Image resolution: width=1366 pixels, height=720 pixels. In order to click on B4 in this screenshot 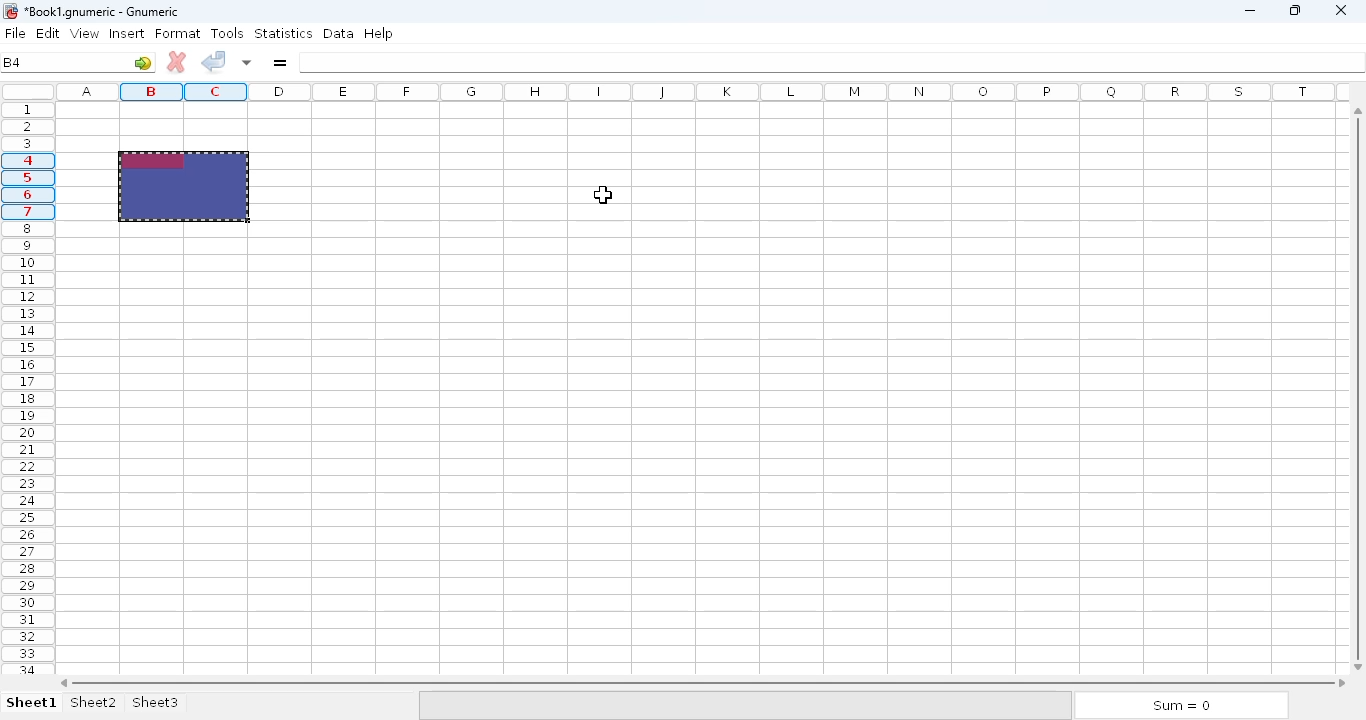, I will do `click(13, 62)`.